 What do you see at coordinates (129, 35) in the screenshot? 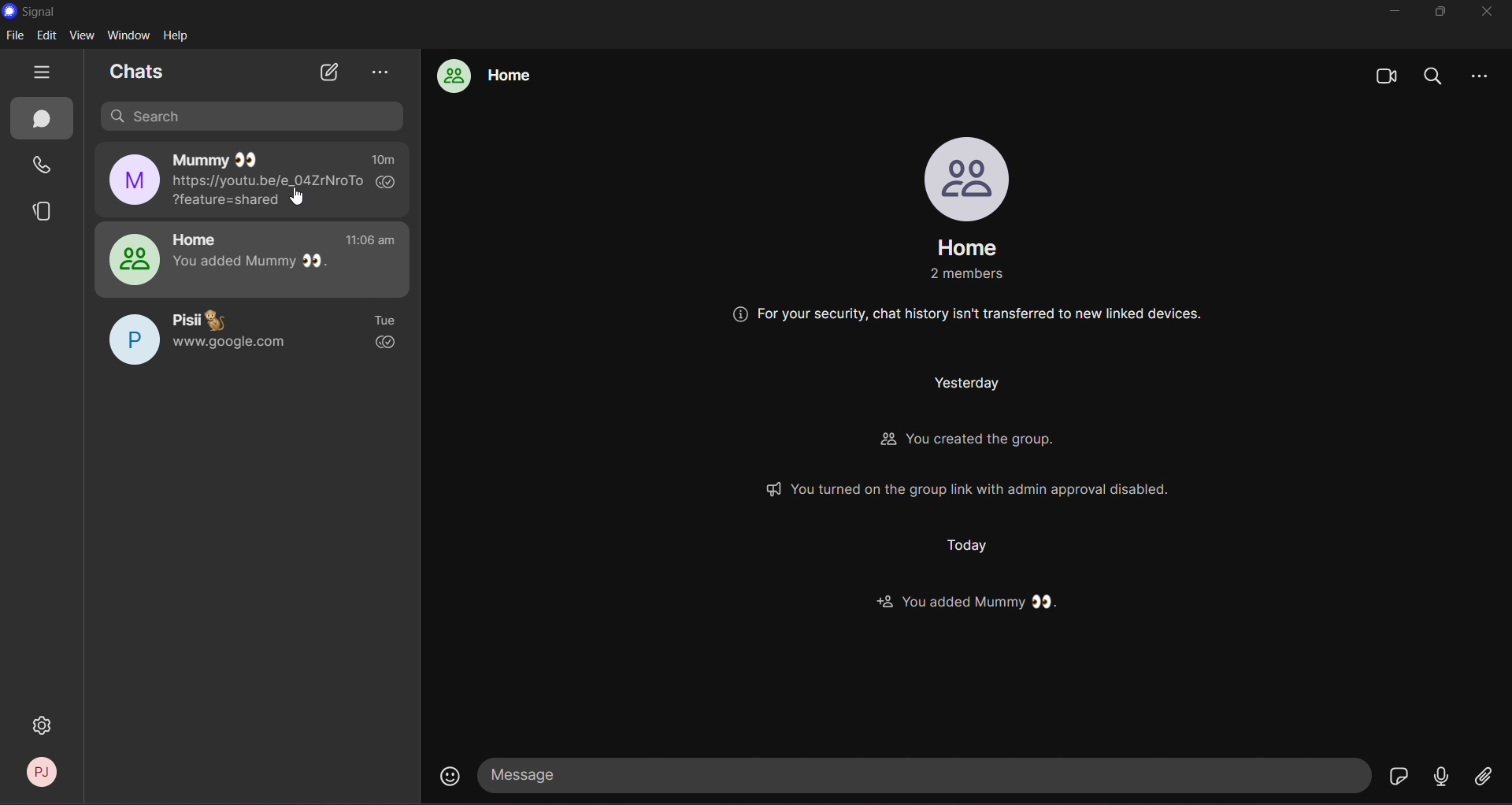
I see `window` at bounding box center [129, 35].